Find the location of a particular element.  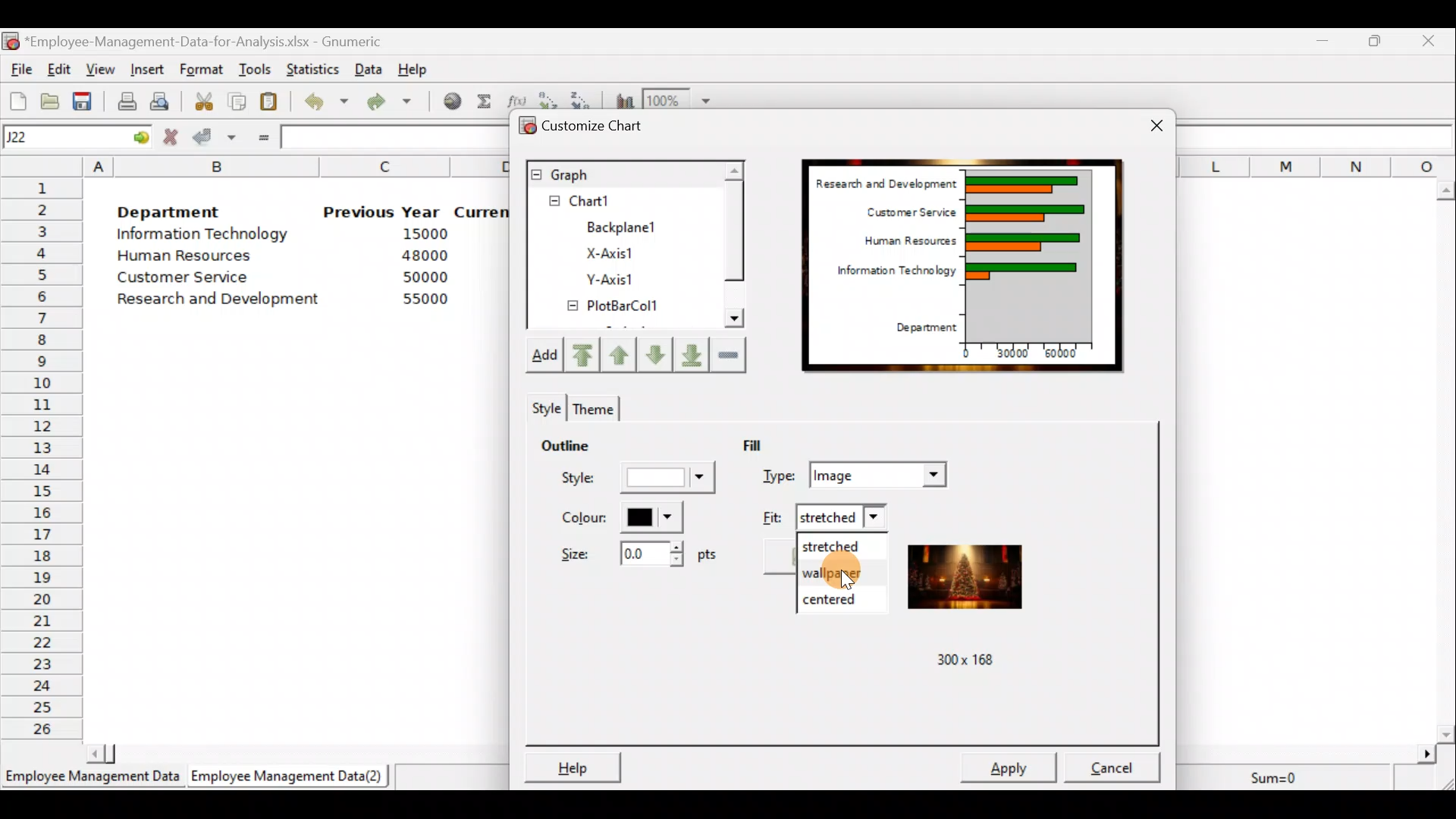

60000 is located at coordinates (1070, 354).